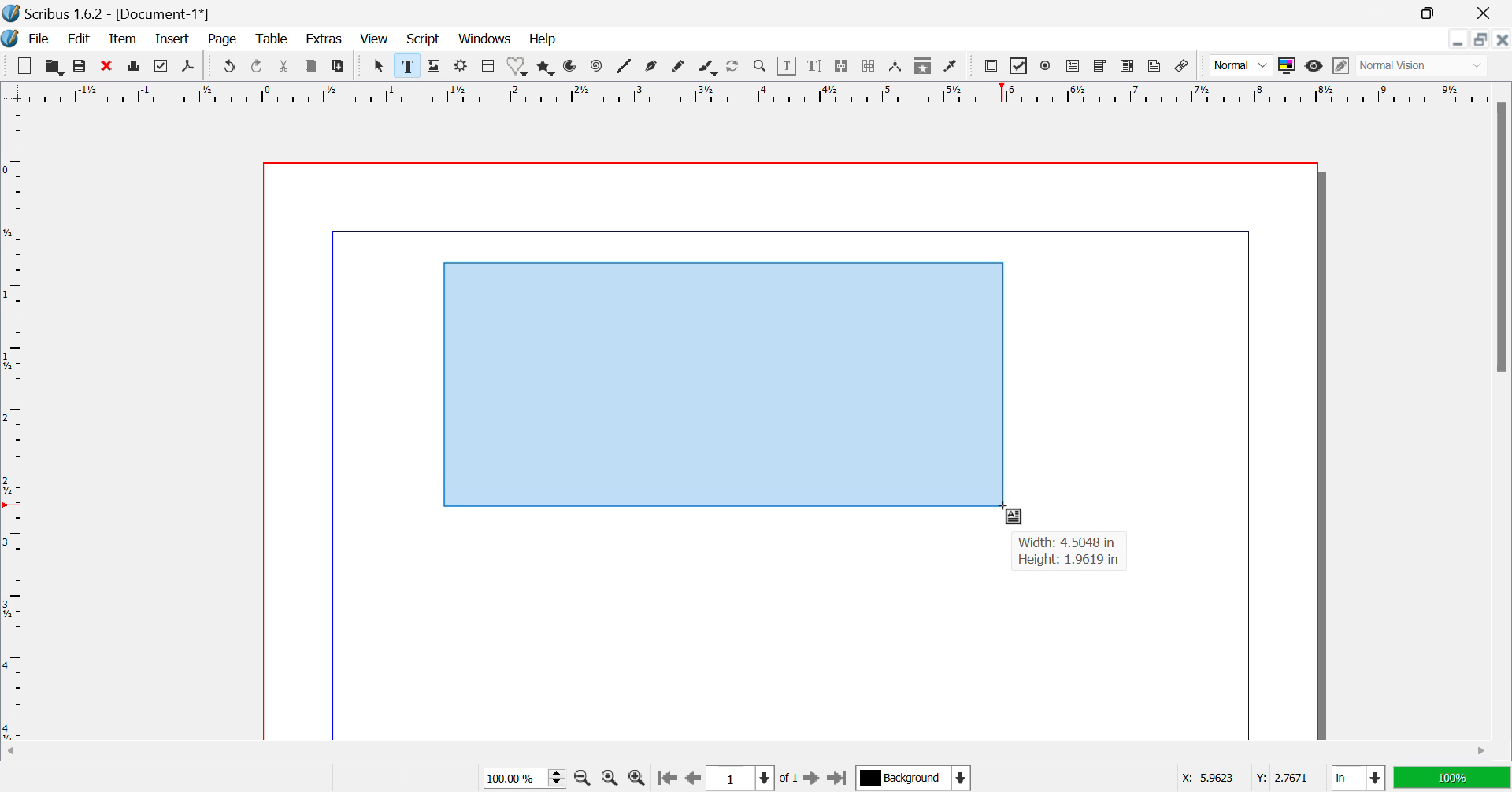 This screenshot has width=1512, height=792. Describe the element at coordinates (836, 777) in the screenshot. I see `Last Page` at that location.